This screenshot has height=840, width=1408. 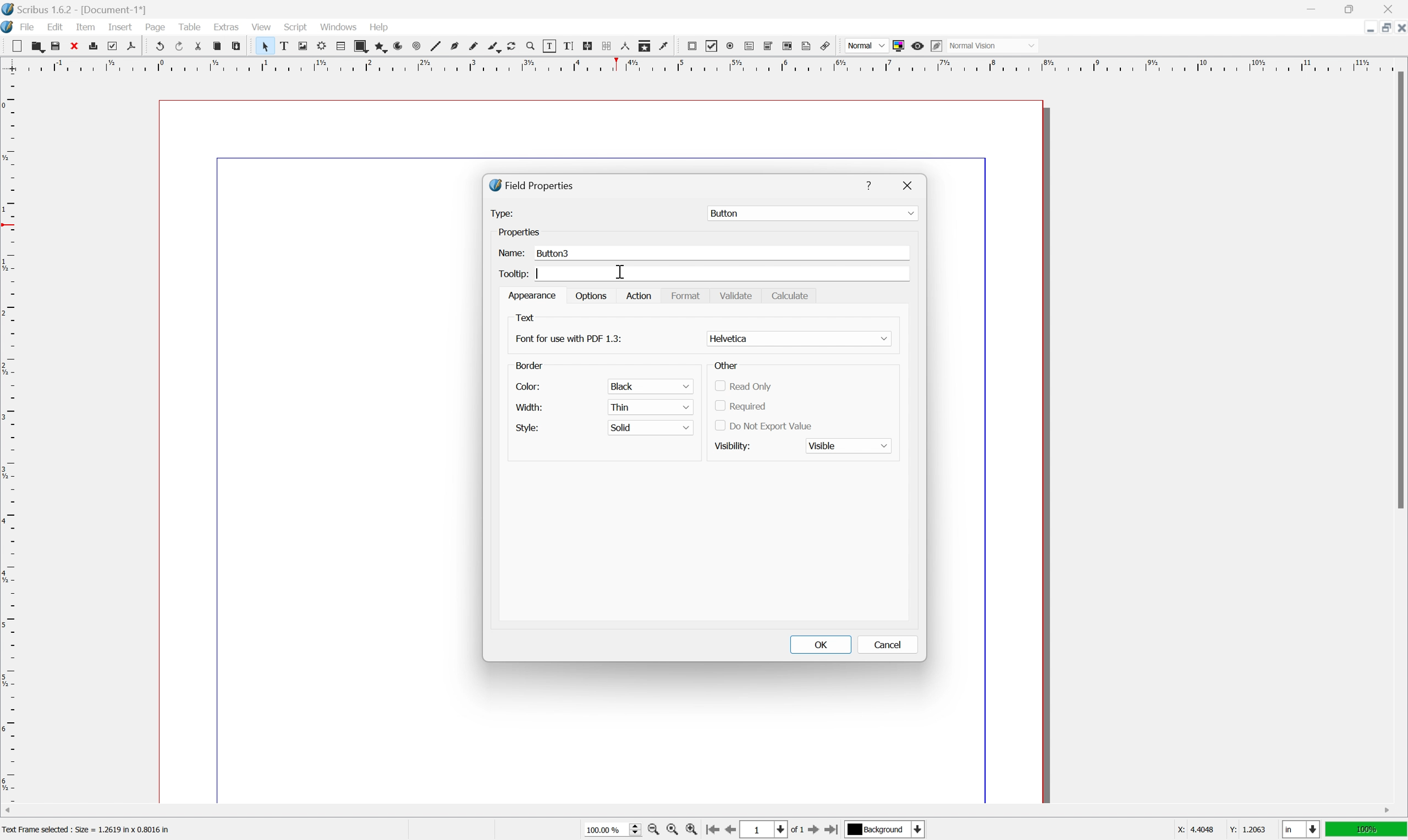 What do you see at coordinates (649, 386) in the screenshot?
I see `black` at bounding box center [649, 386].